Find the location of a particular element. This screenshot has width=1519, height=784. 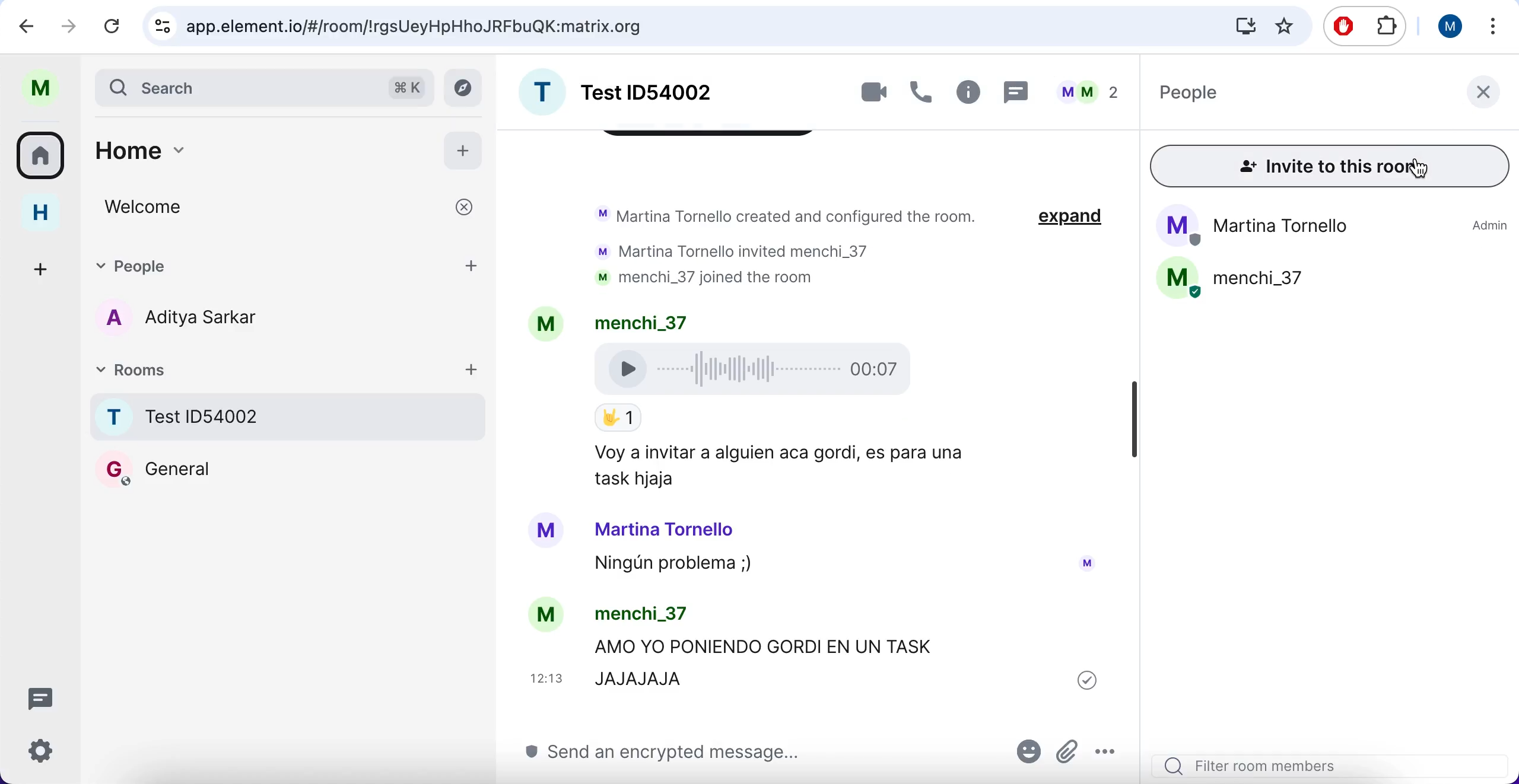

menchi_37 is located at coordinates (650, 614).